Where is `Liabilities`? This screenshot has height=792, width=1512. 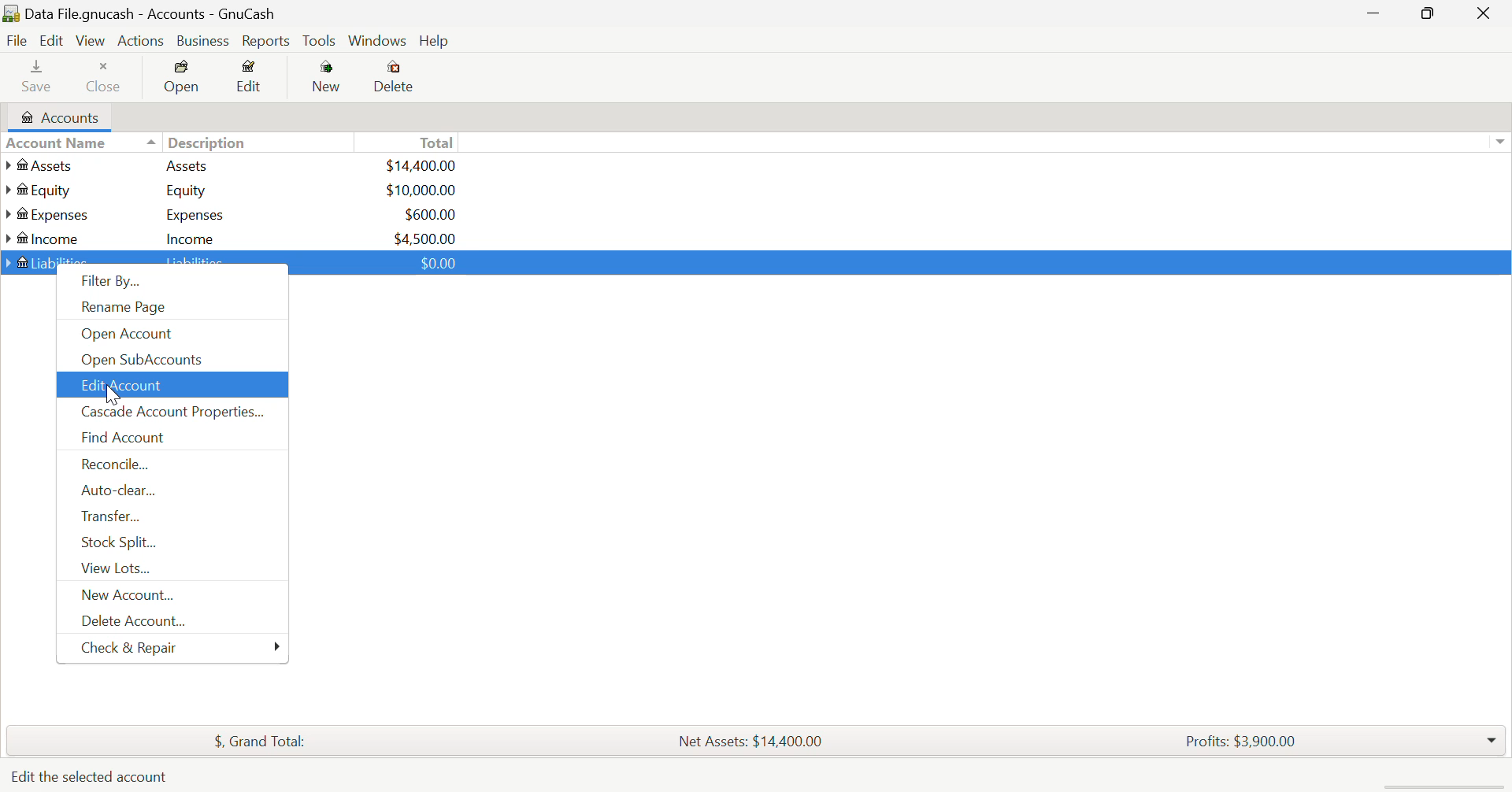
Liabilities is located at coordinates (197, 262).